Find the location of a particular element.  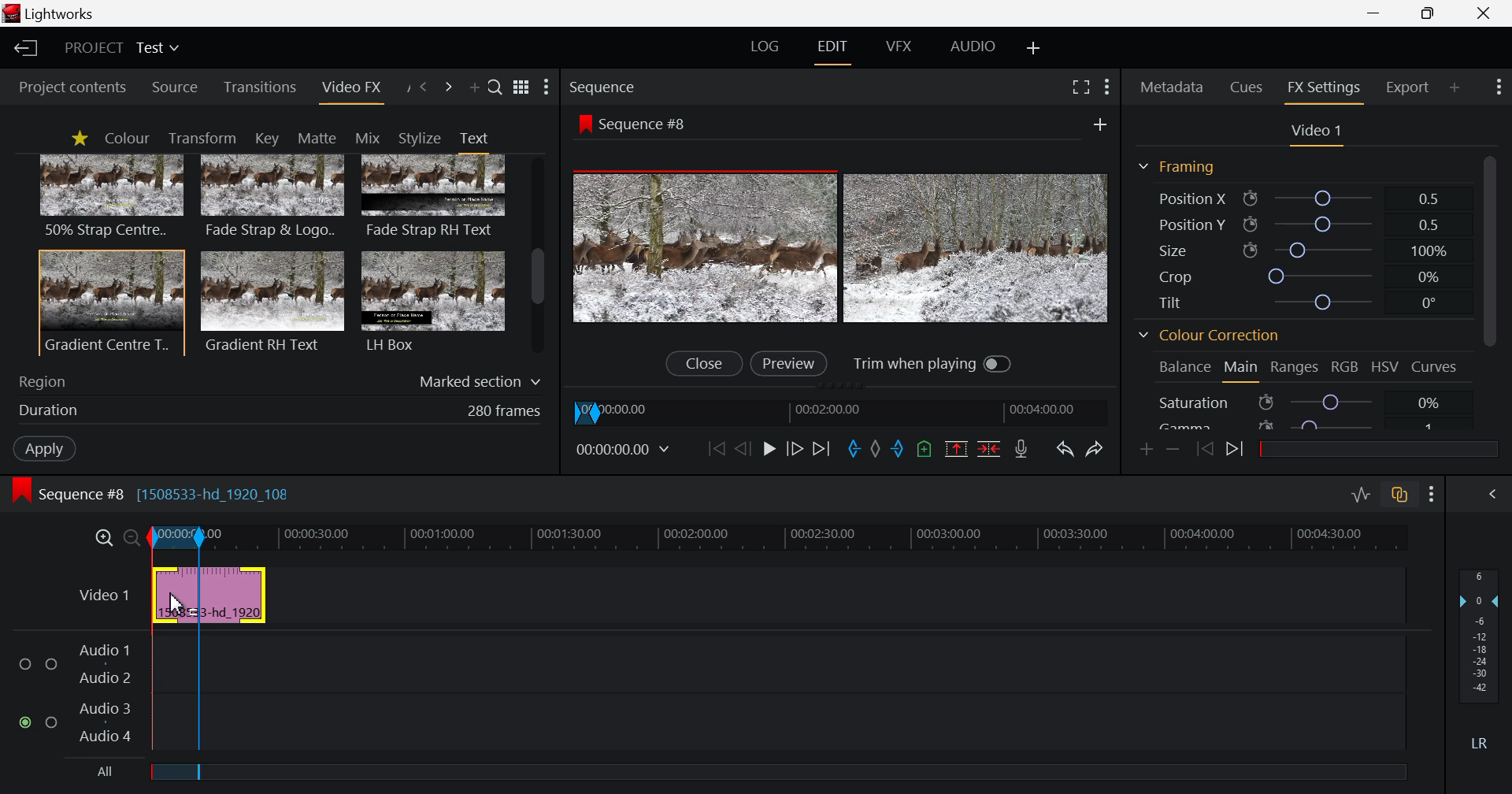

Gradient RH Text is located at coordinates (269, 301).